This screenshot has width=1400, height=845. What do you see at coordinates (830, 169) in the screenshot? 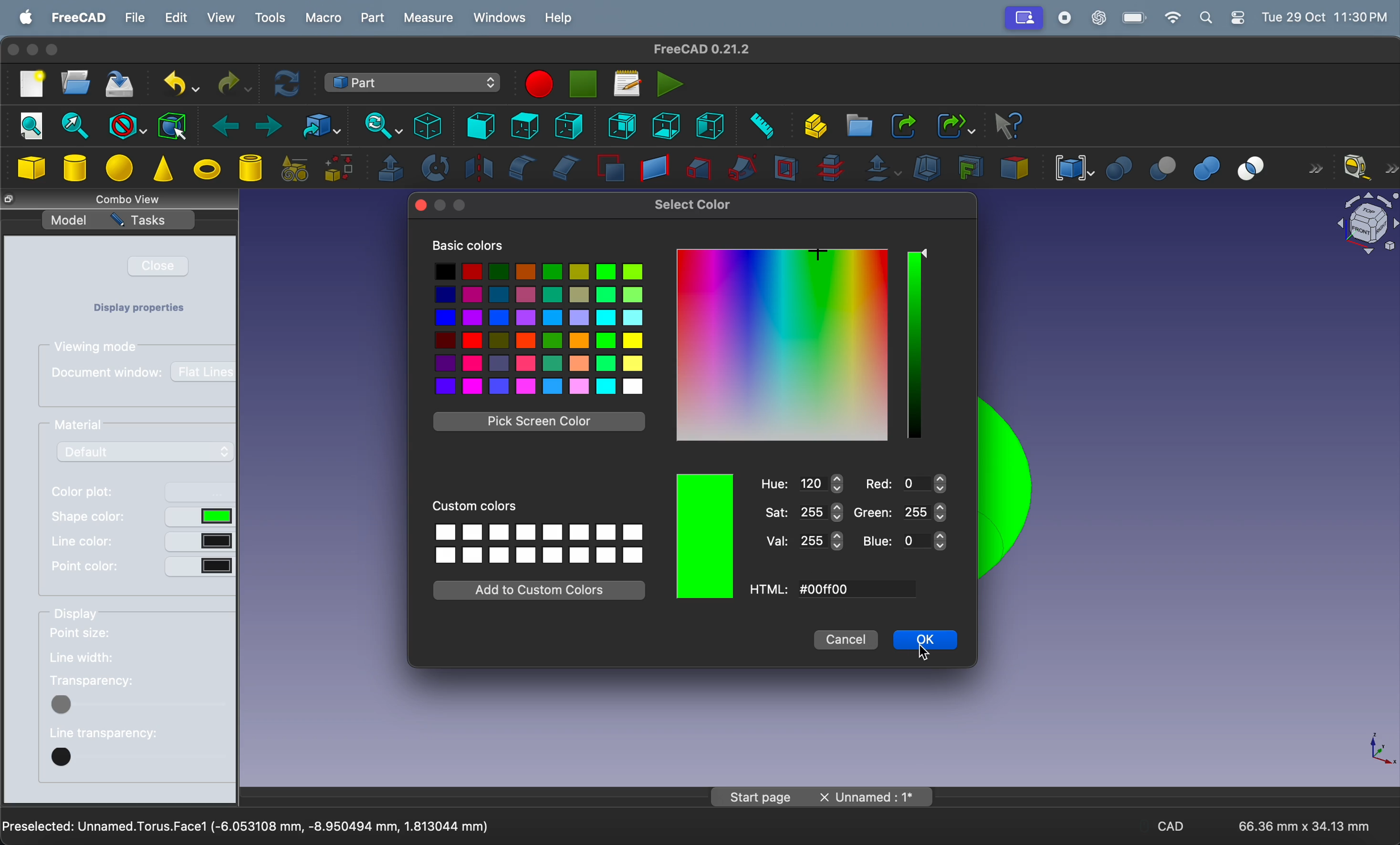
I see `cross section` at bounding box center [830, 169].